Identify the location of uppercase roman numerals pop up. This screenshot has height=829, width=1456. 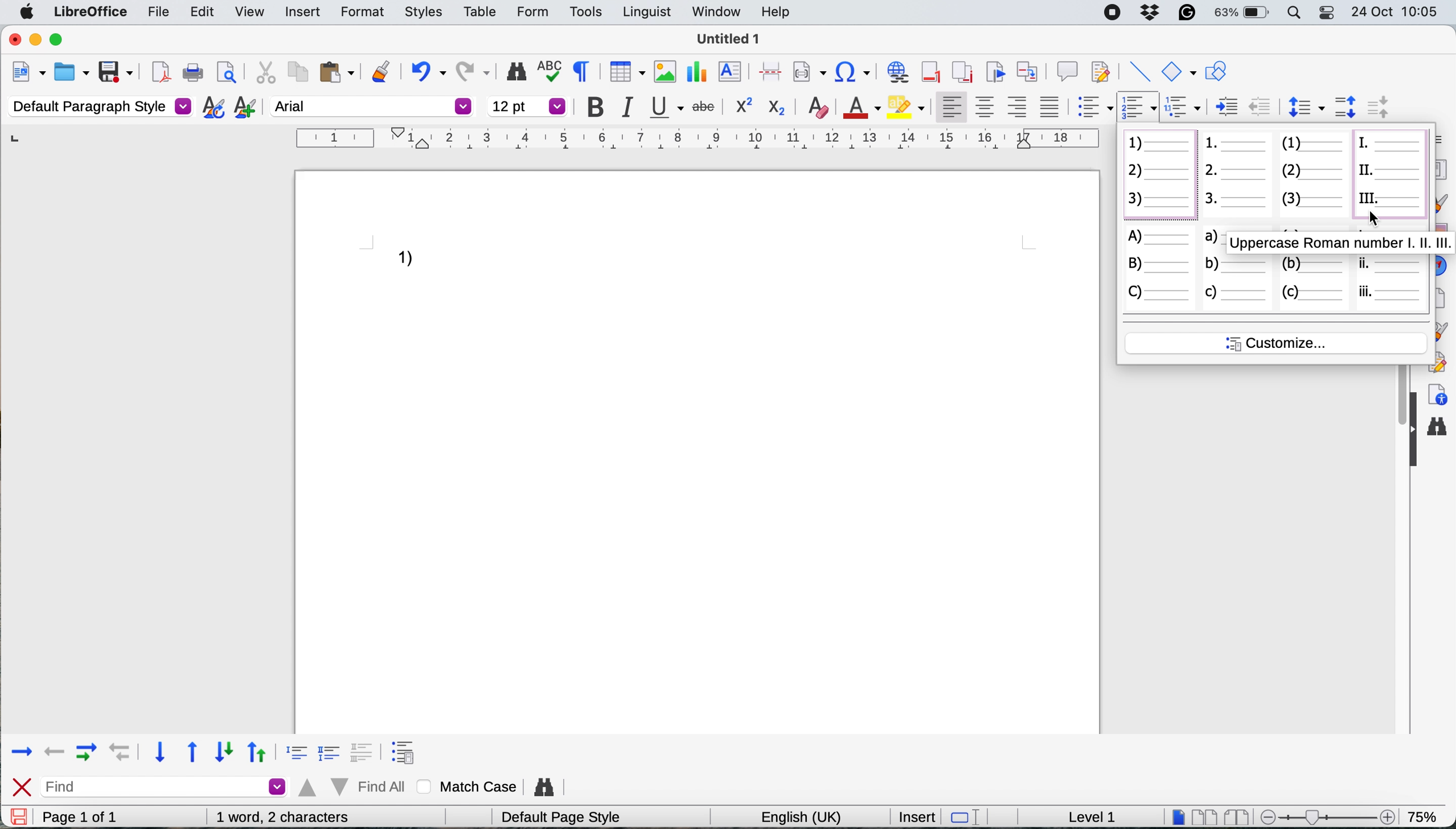
(1341, 243).